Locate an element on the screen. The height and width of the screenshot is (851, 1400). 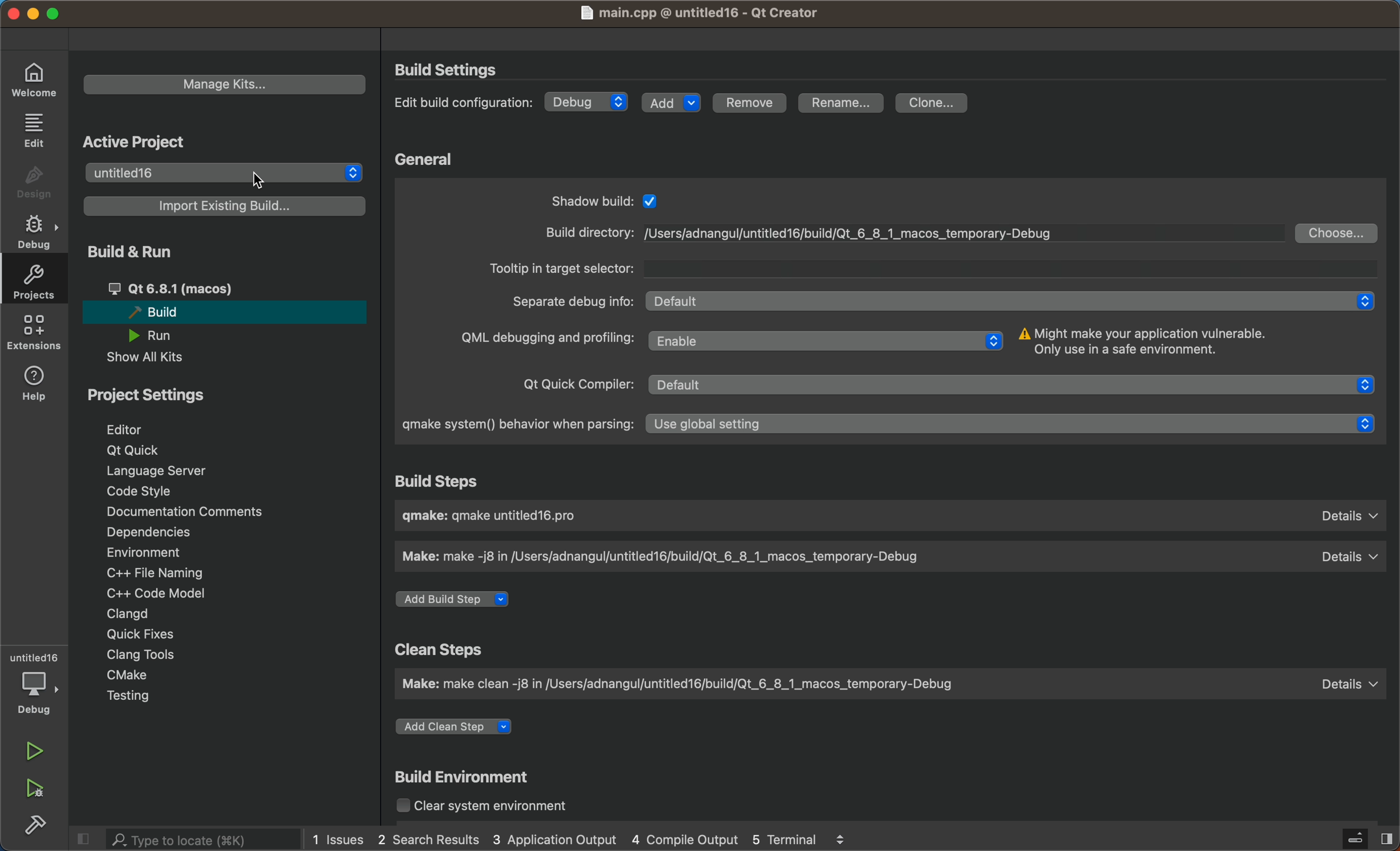
rename is located at coordinates (847, 104).